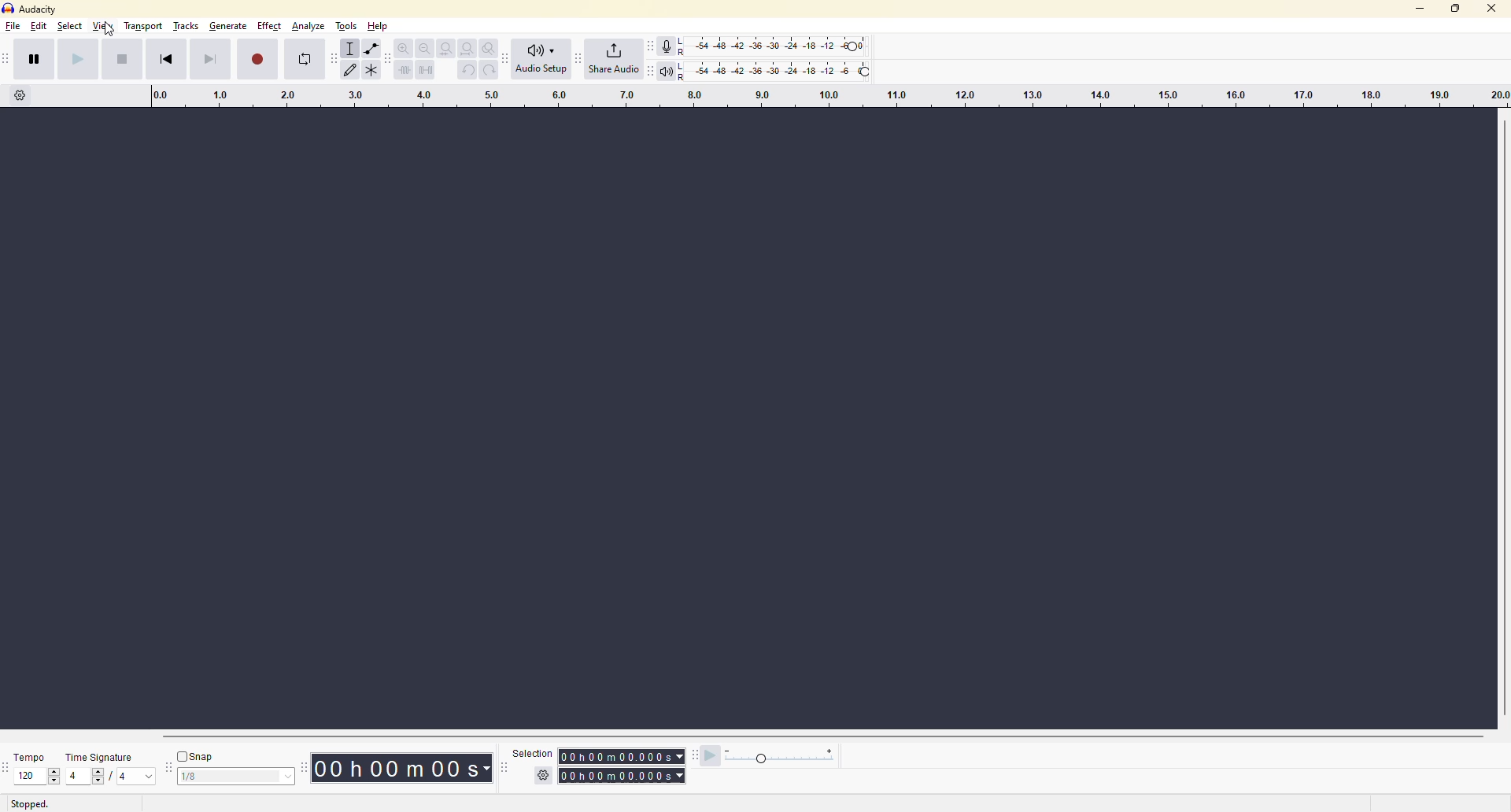 This screenshot has height=812, width=1511. What do you see at coordinates (14, 31) in the screenshot?
I see `file` at bounding box center [14, 31].